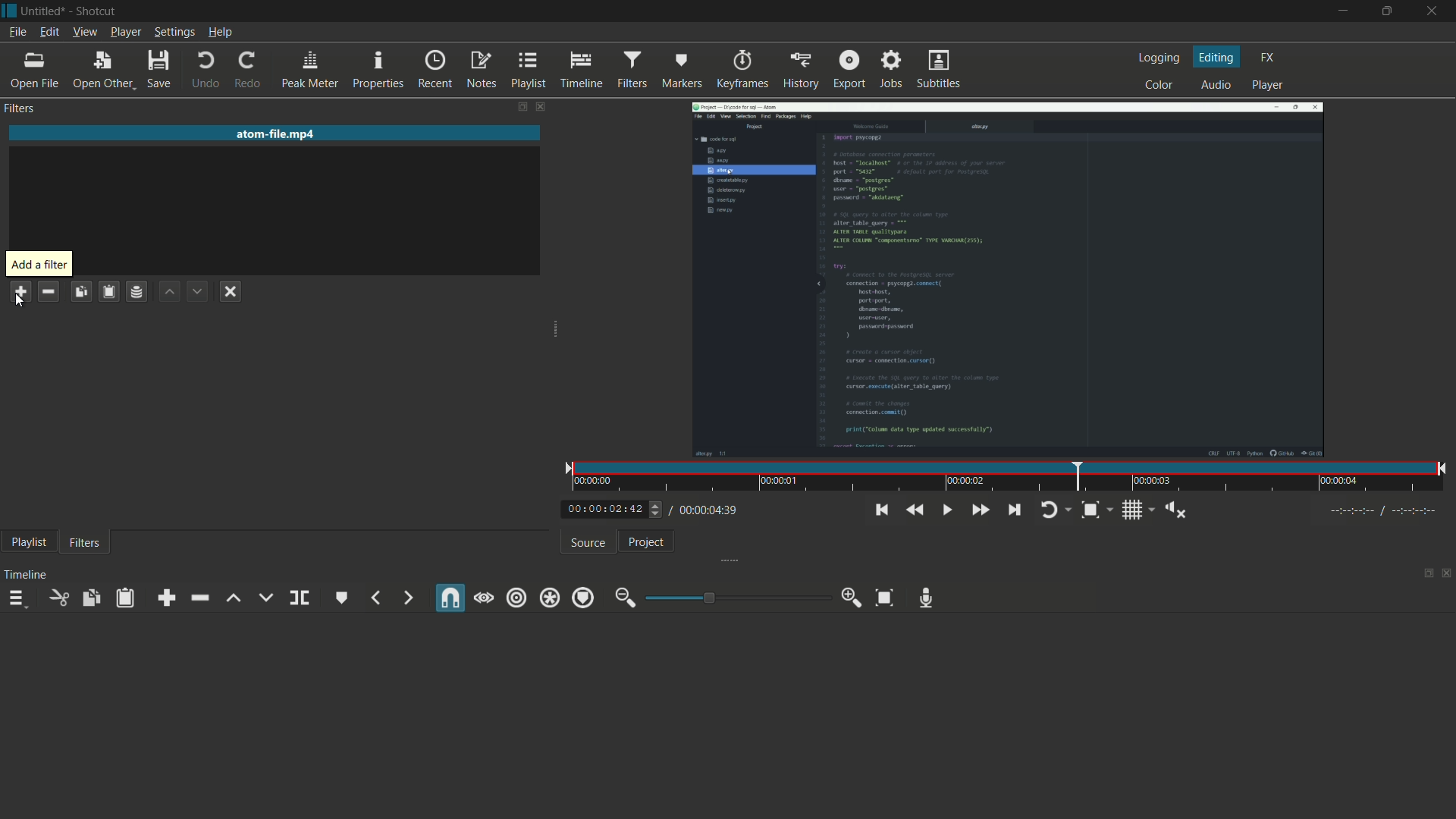 This screenshot has width=1456, height=819. Describe the element at coordinates (892, 68) in the screenshot. I see `jobs` at that location.